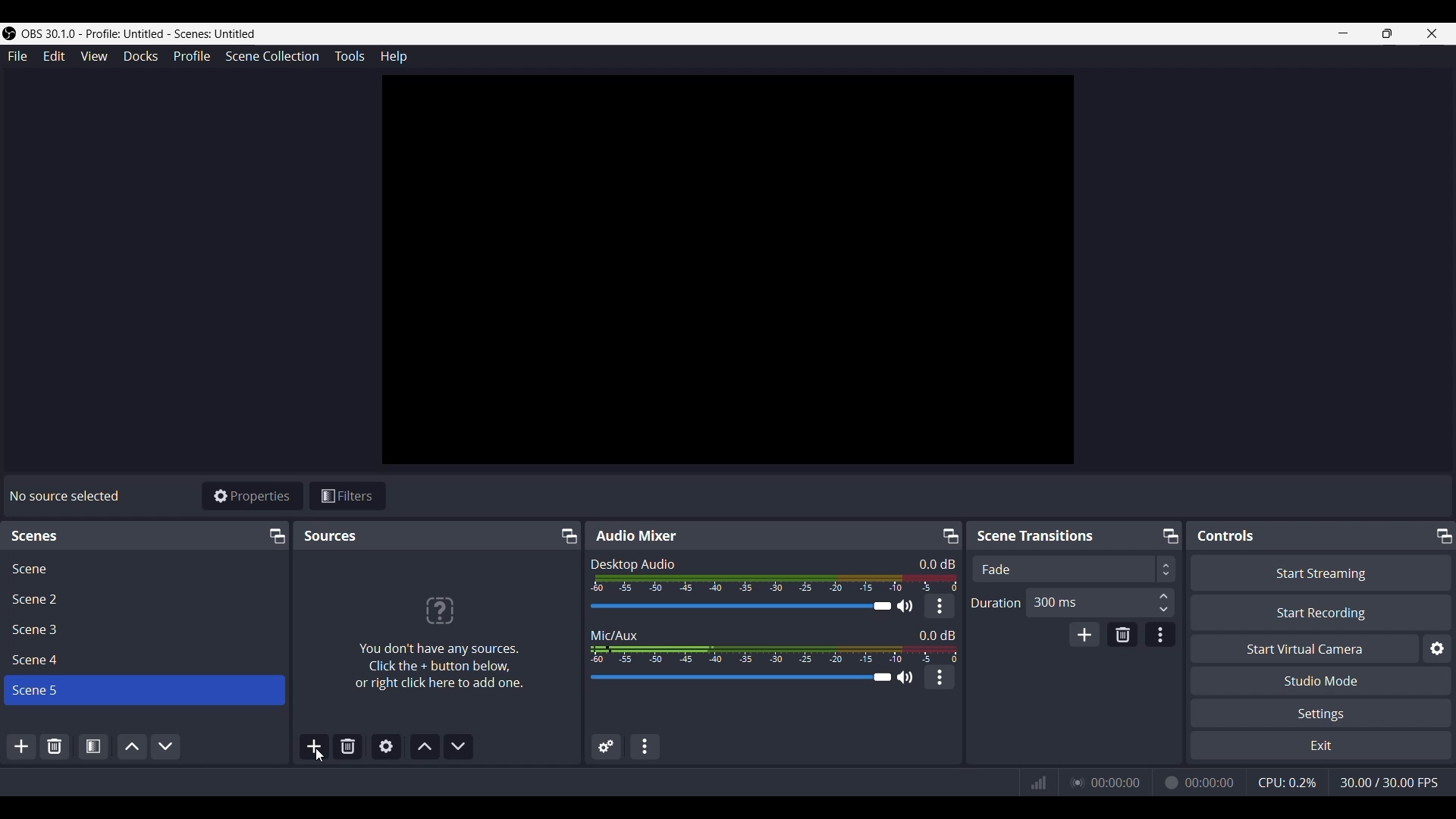 This screenshot has width=1456, height=819. Describe the element at coordinates (936, 634) in the screenshot. I see `0.0 dB` at that location.